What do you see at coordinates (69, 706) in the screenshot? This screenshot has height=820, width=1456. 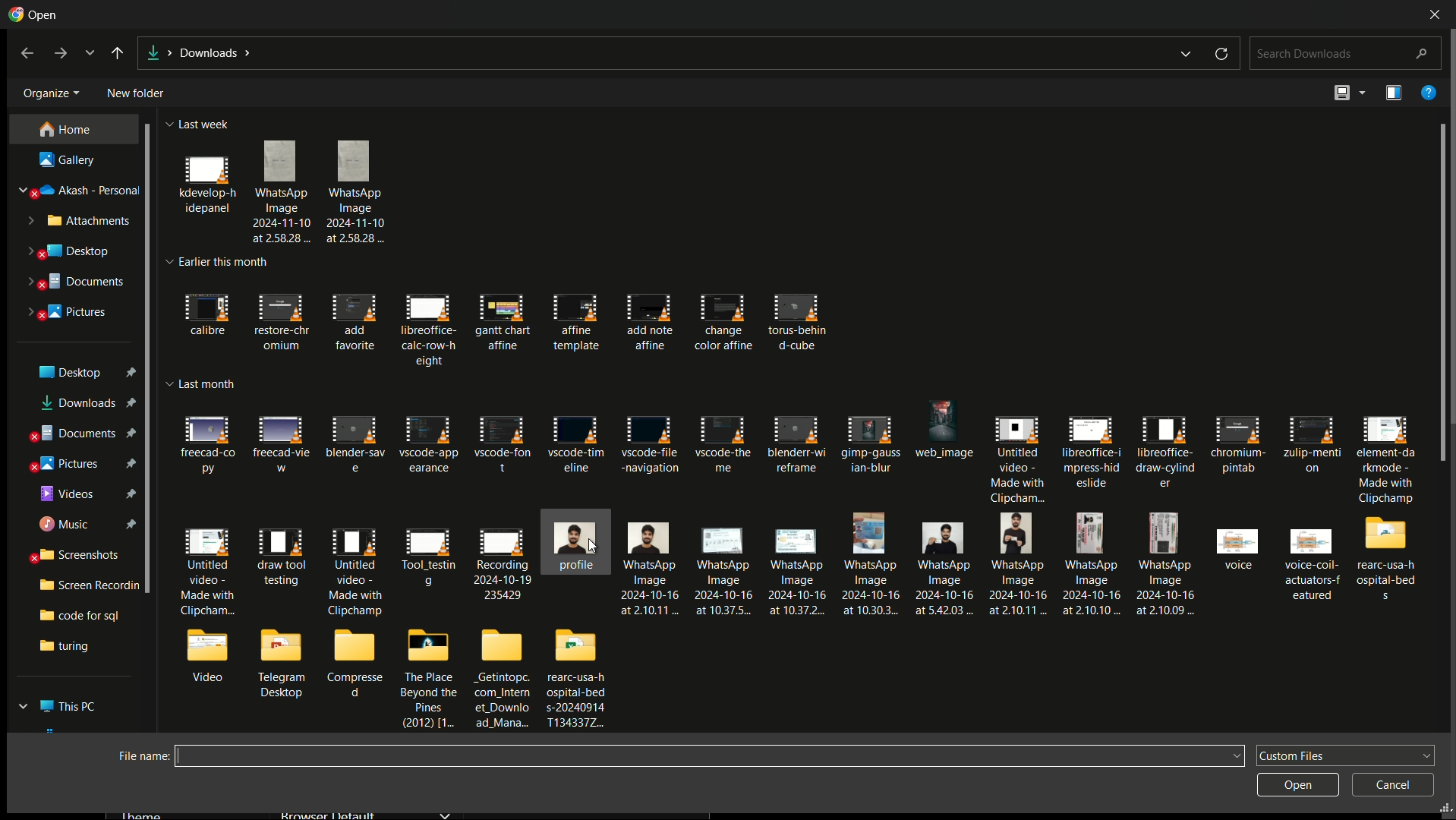 I see `this pc` at bounding box center [69, 706].